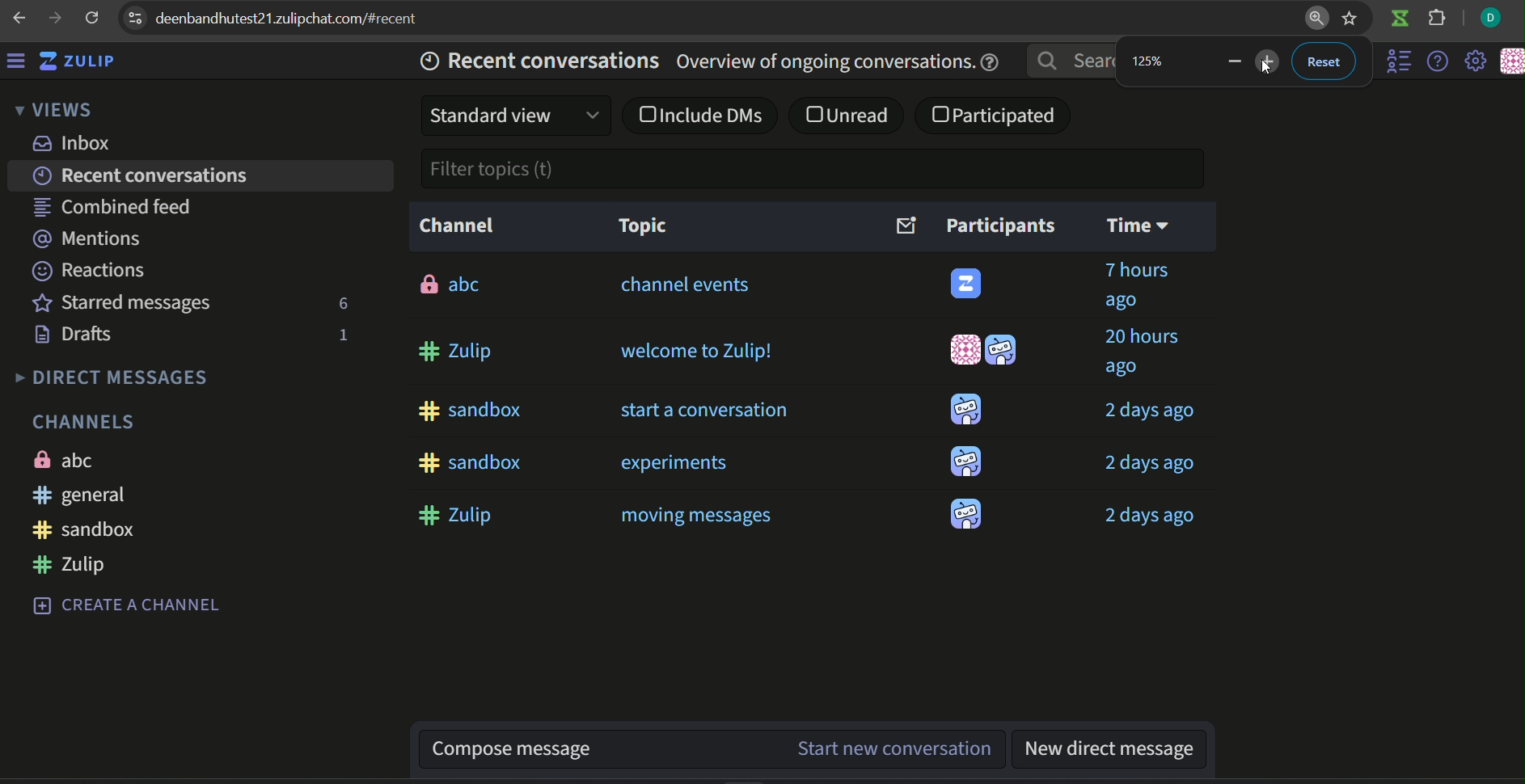  Describe the element at coordinates (997, 116) in the screenshot. I see `Participated` at that location.